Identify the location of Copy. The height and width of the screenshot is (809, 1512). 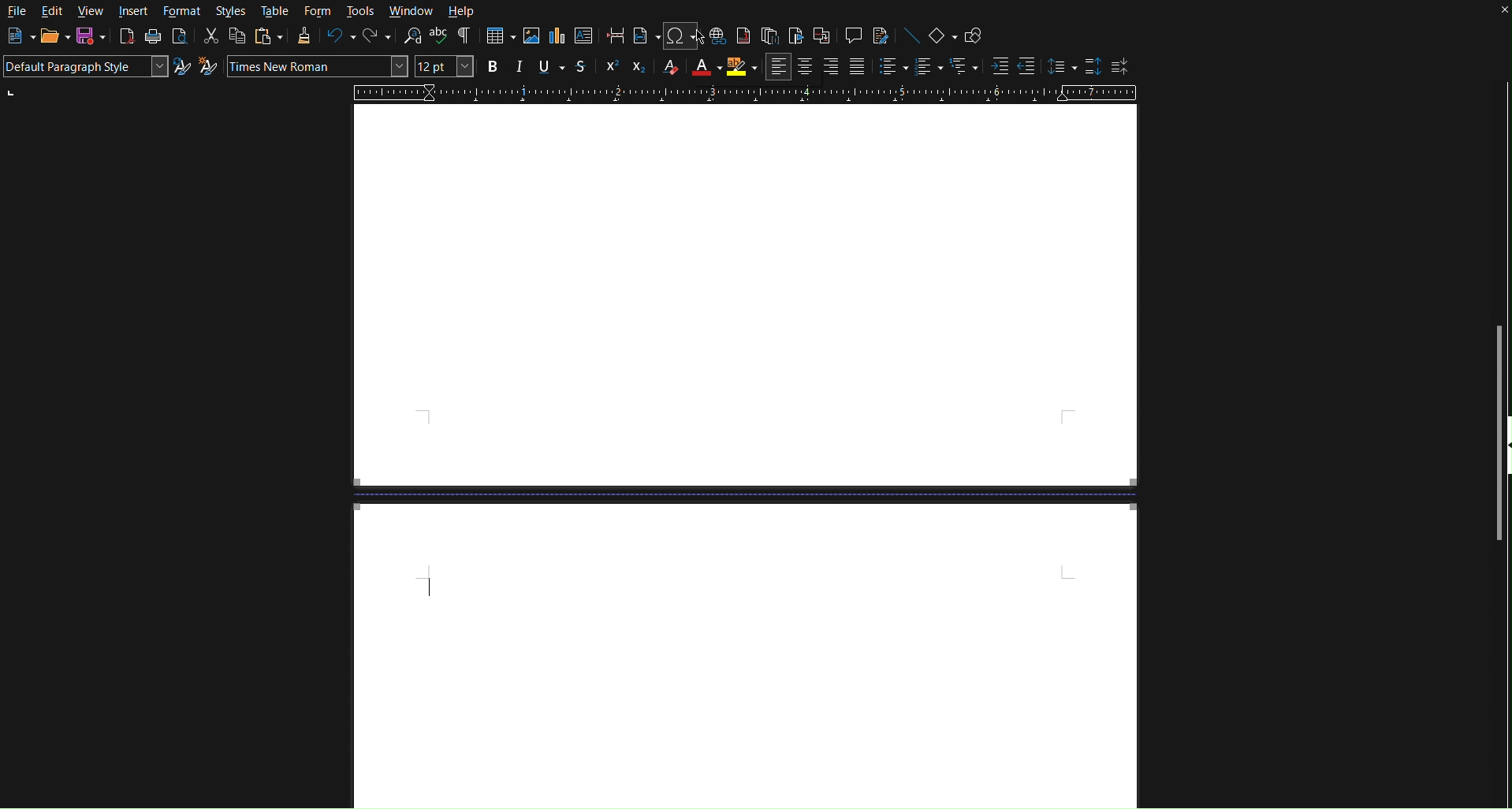
(237, 36).